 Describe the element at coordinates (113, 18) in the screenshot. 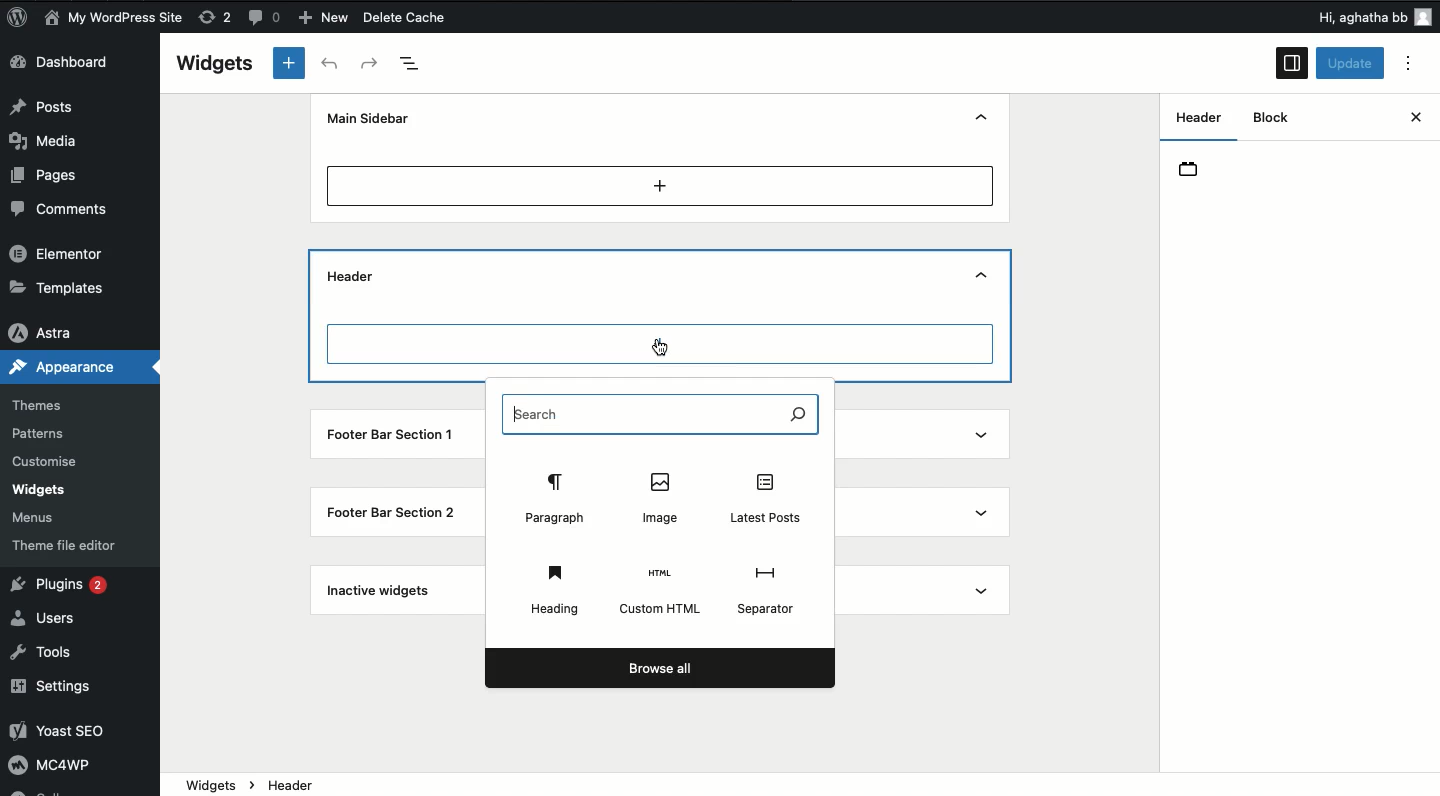

I see `My WordPress Site` at that location.